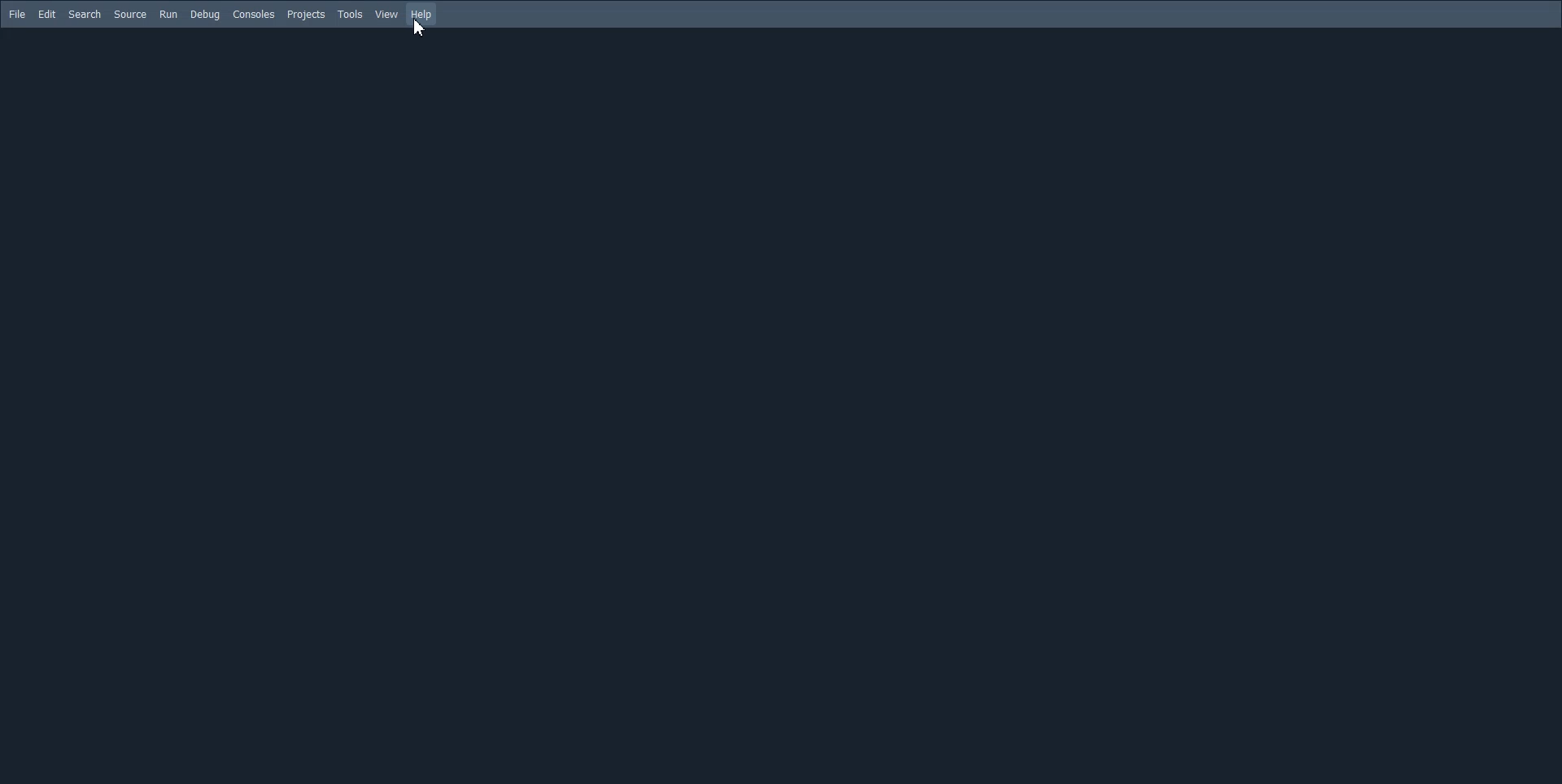 Image resolution: width=1562 pixels, height=784 pixels. Describe the element at coordinates (168, 15) in the screenshot. I see `Run` at that location.